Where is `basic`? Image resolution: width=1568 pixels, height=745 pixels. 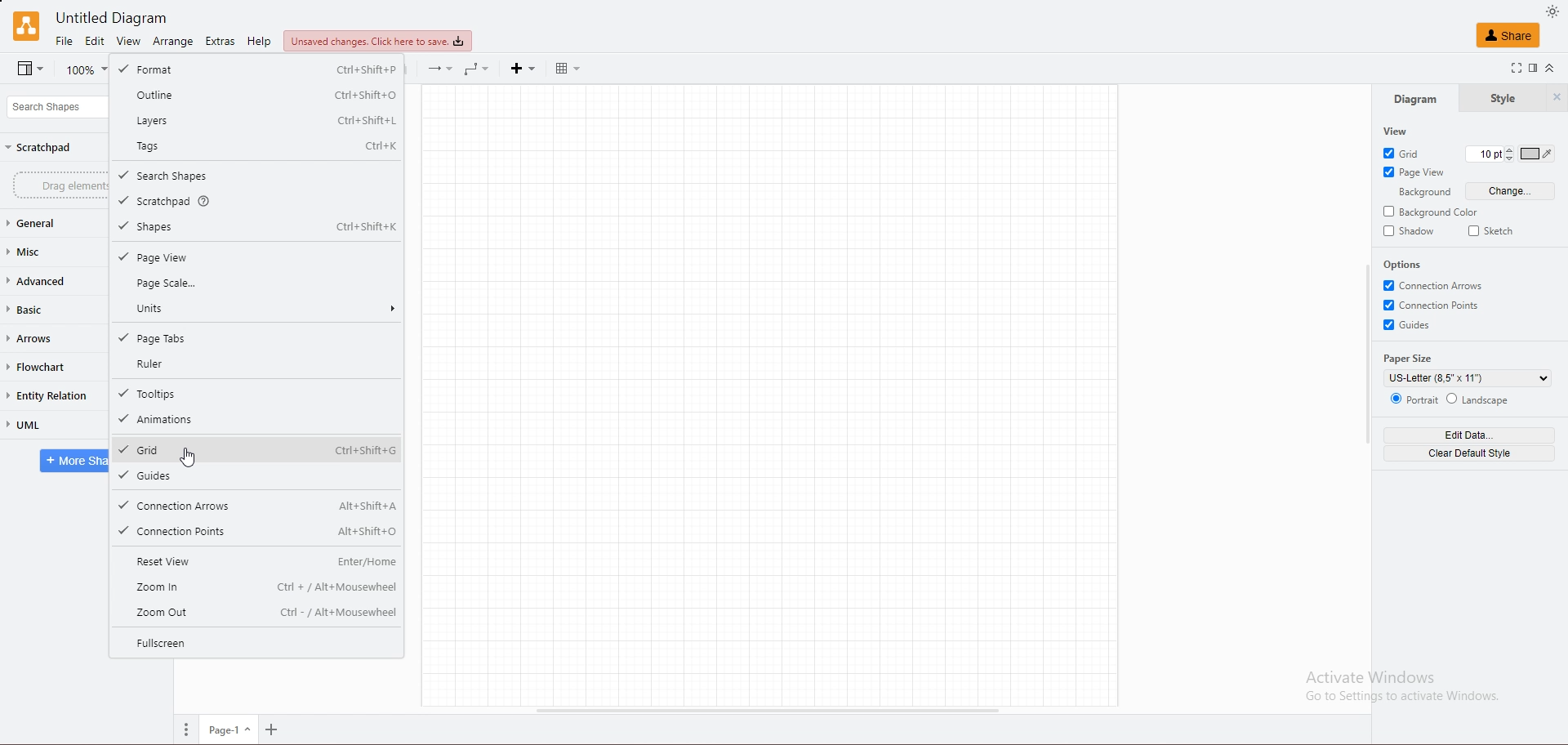
basic is located at coordinates (51, 309).